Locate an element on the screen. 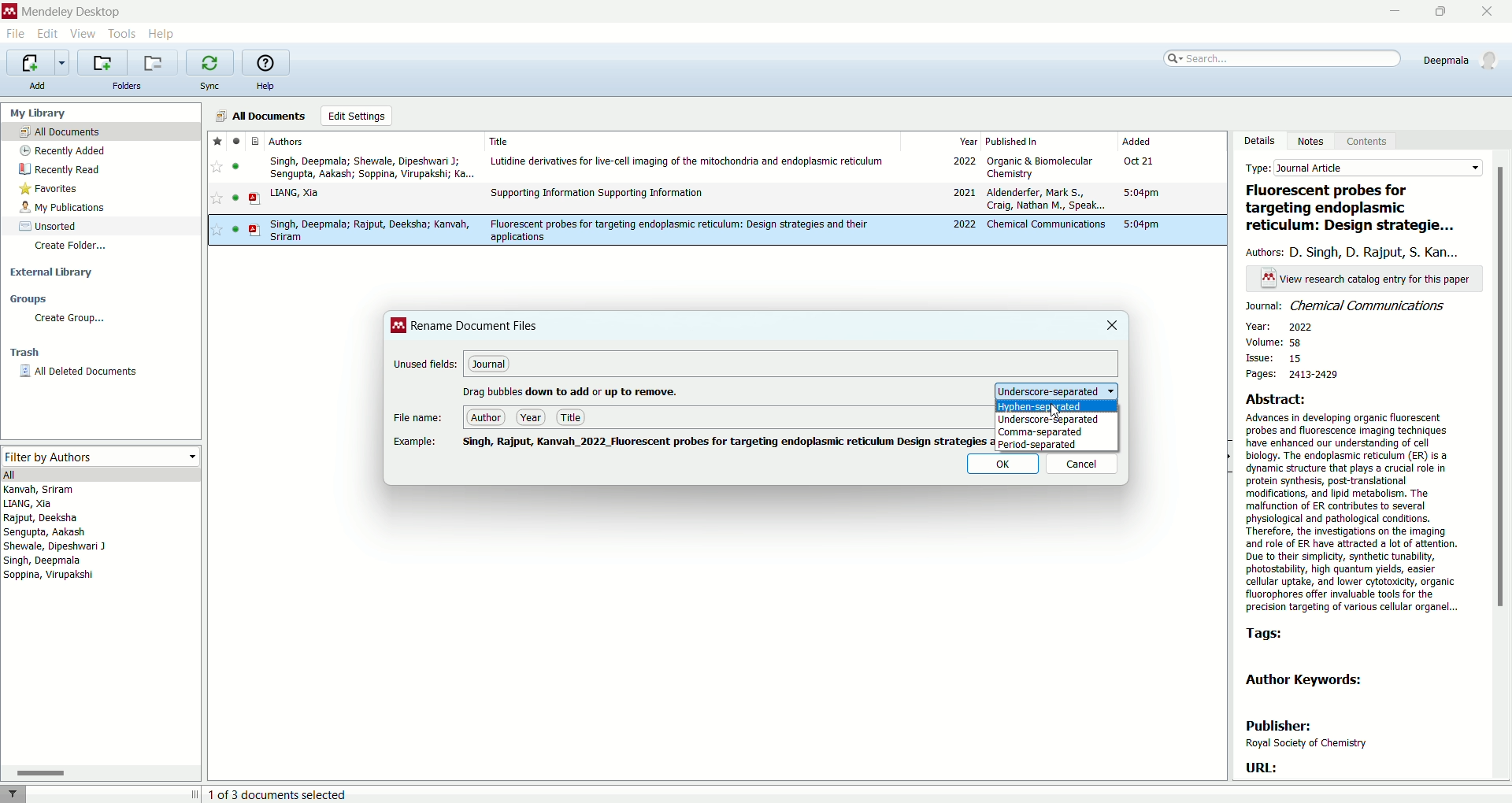 This screenshot has width=1512, height=803. Oct 21 is located at coordinates (1142, 162).